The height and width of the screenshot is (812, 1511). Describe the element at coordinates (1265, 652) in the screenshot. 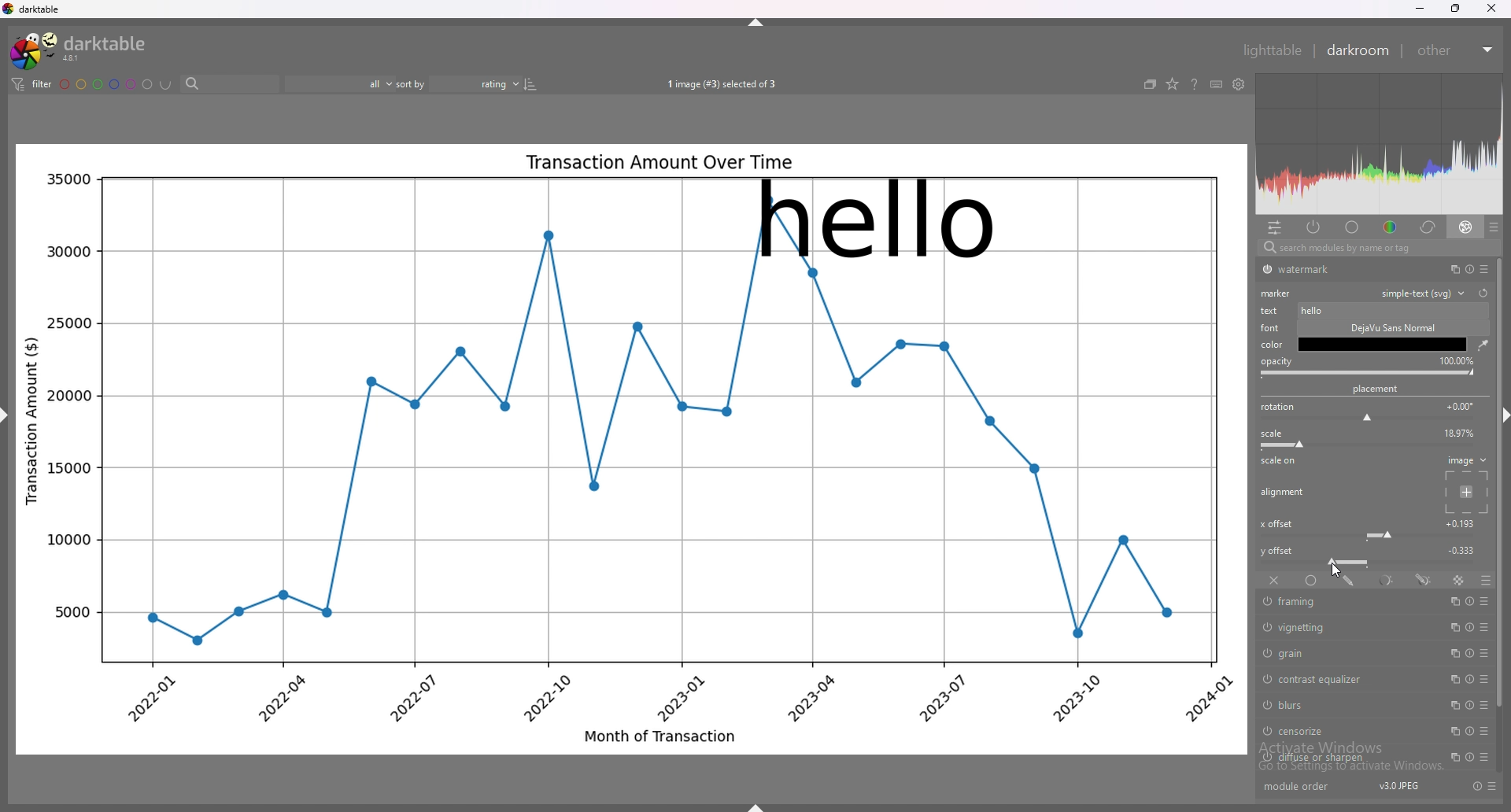

I see `switch off` at that location.